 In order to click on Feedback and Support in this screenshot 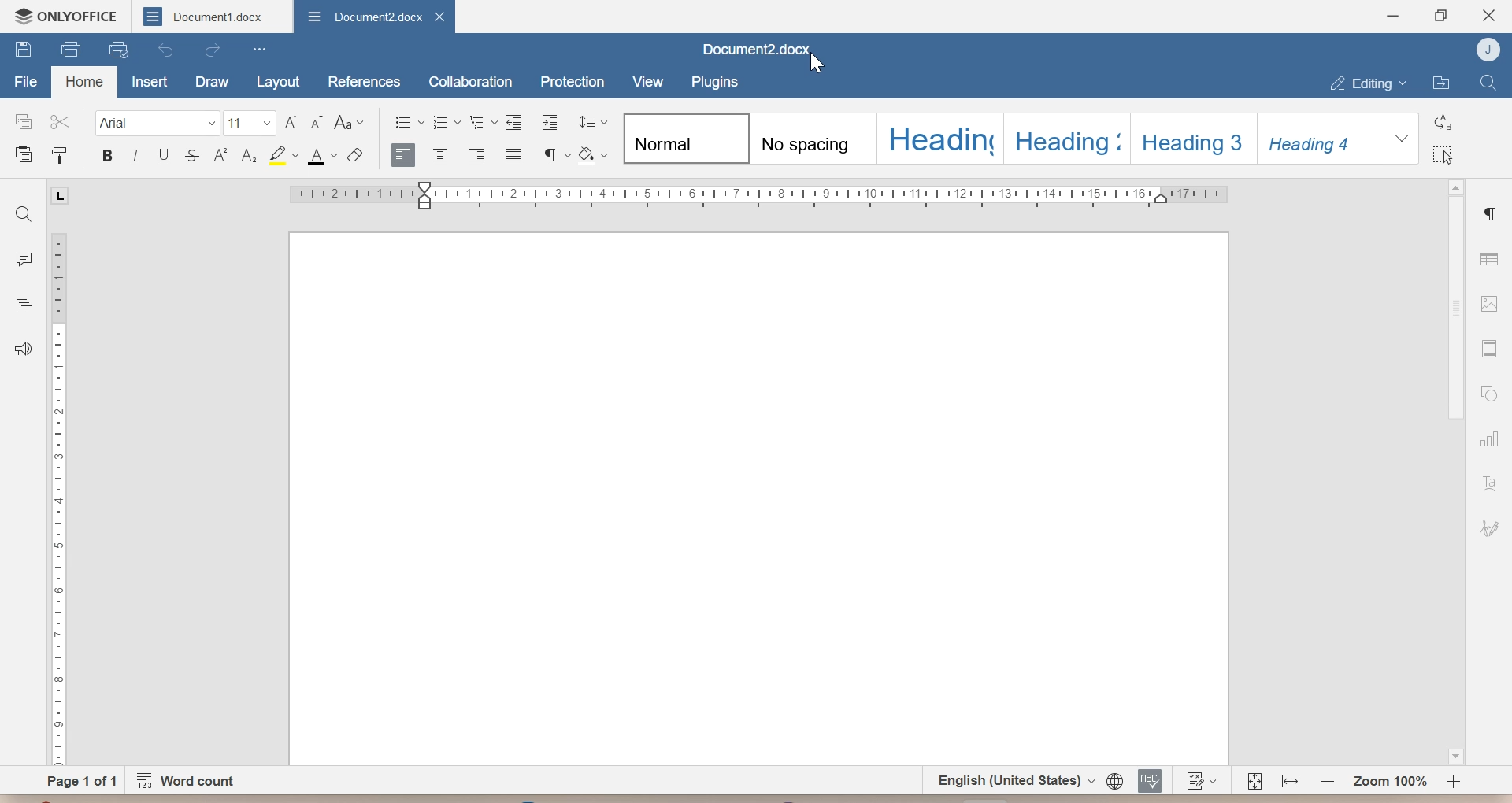, I will do `click(20, 350)`.